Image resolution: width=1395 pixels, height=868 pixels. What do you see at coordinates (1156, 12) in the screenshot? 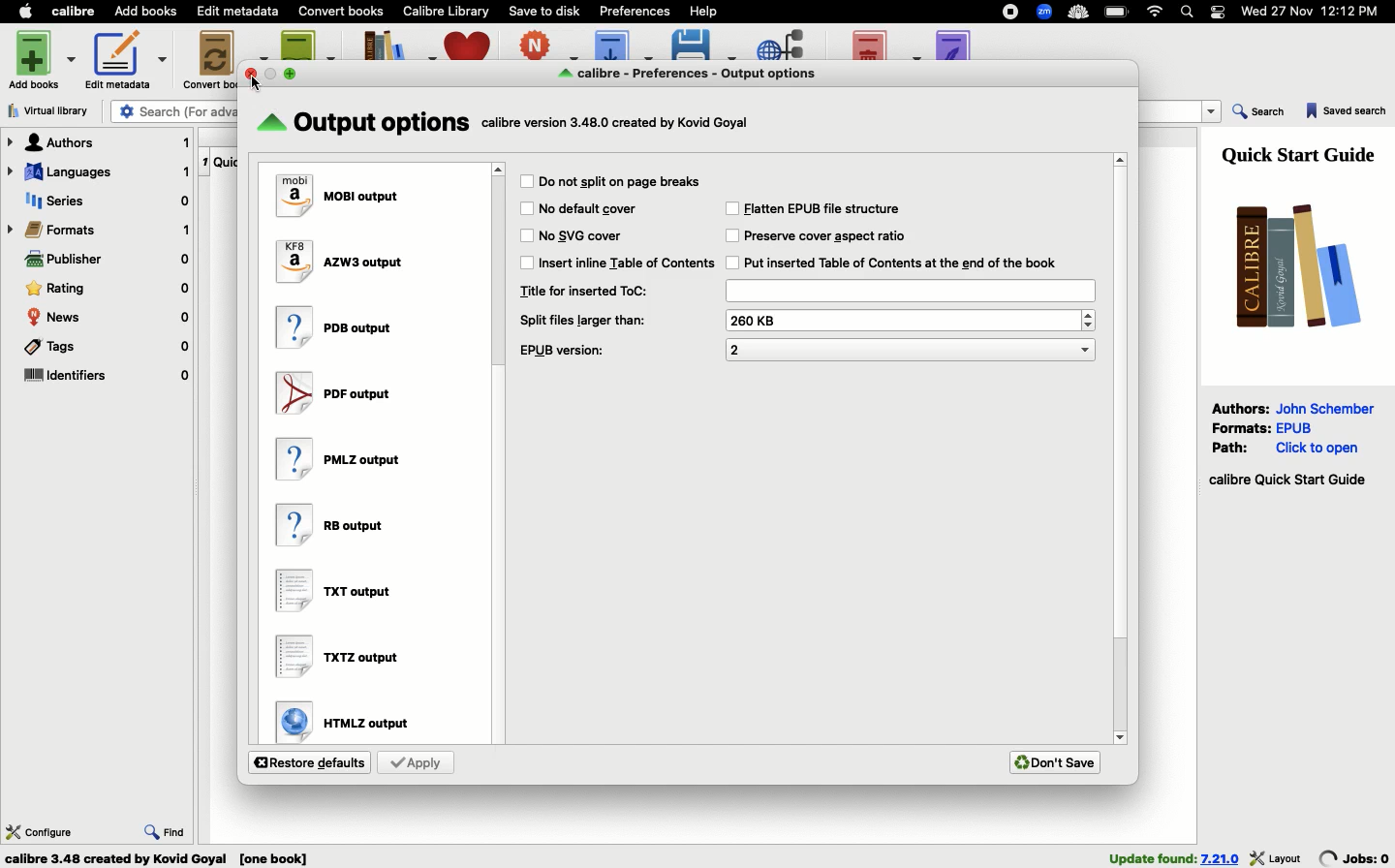
I see `Internet` at bounding box center [1156, 12].